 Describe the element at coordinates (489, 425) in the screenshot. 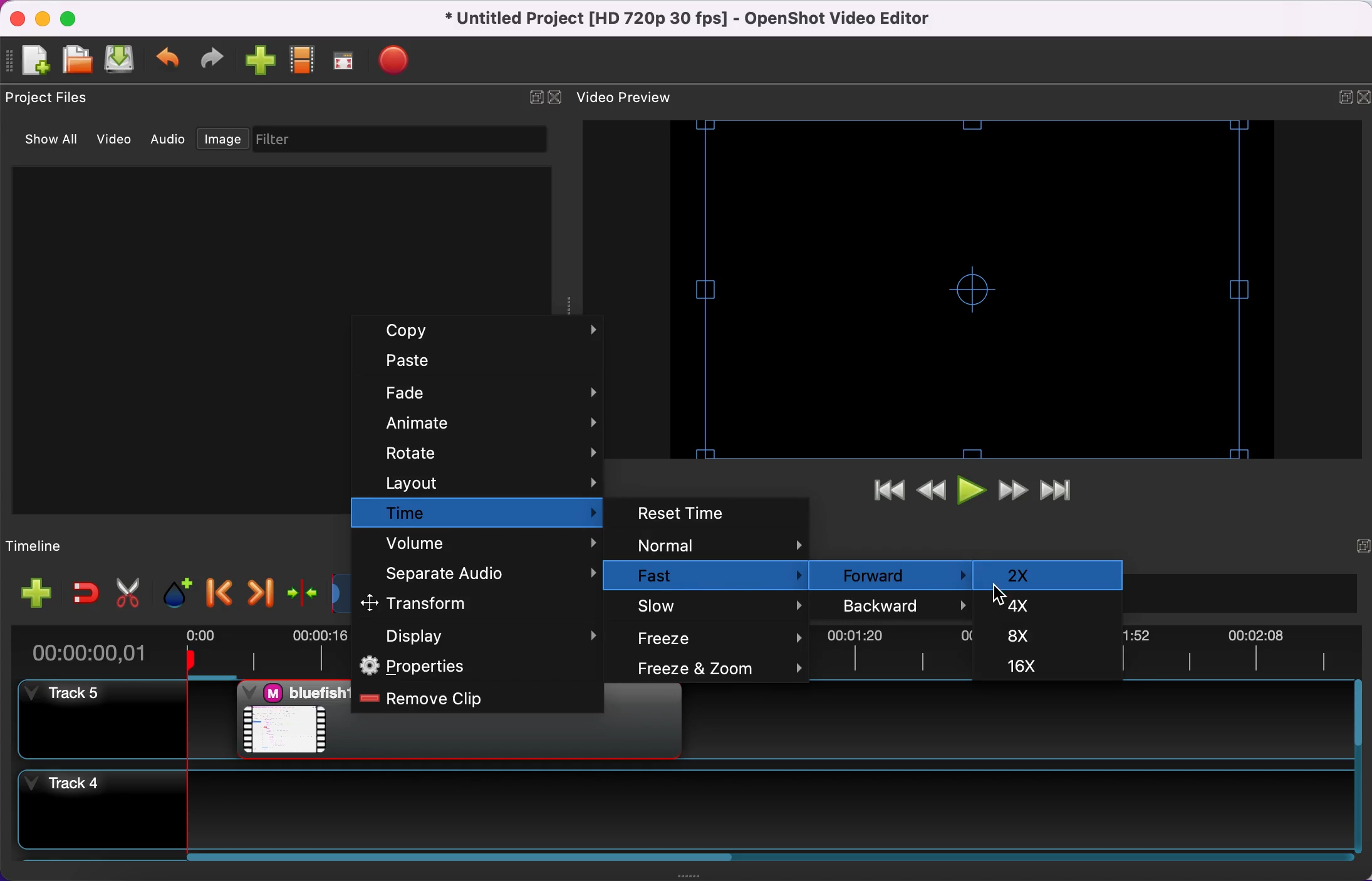

I see `animate` at that location.